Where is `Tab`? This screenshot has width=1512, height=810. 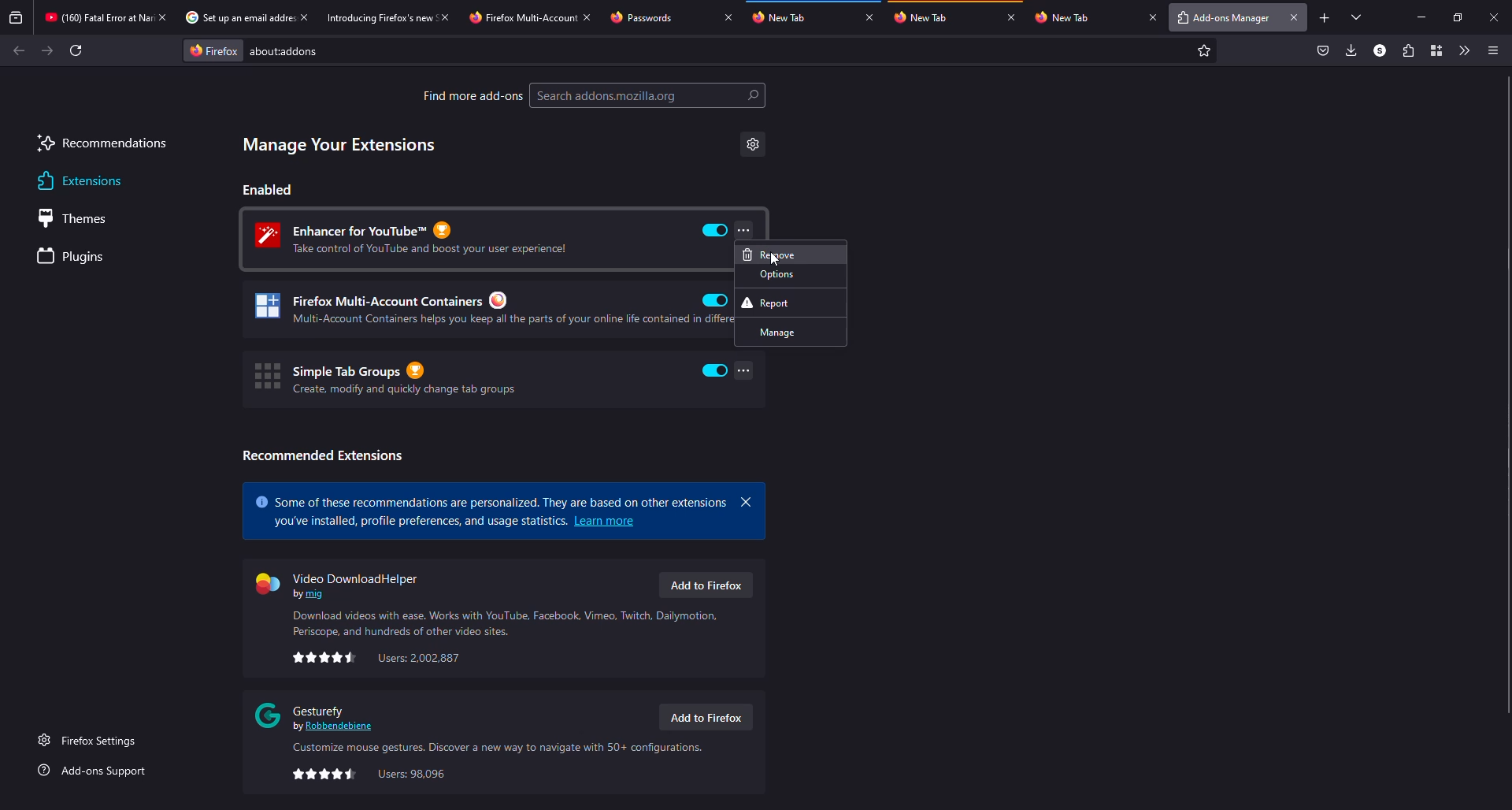 Tab is located at coordinates (95, 17).